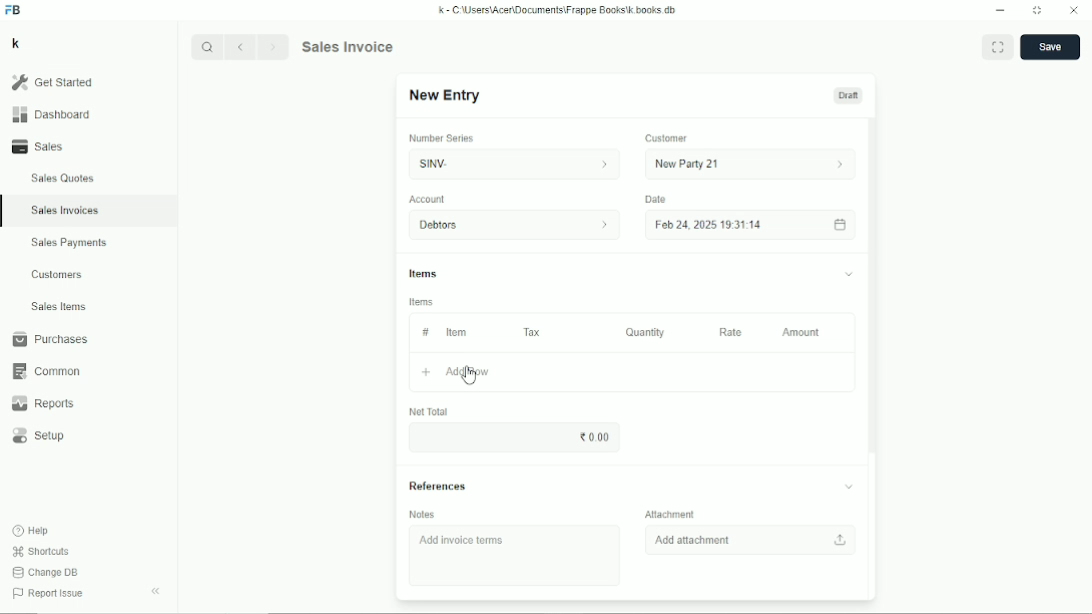  I want to click on Toggle between form and full width, so click(1038, 11).